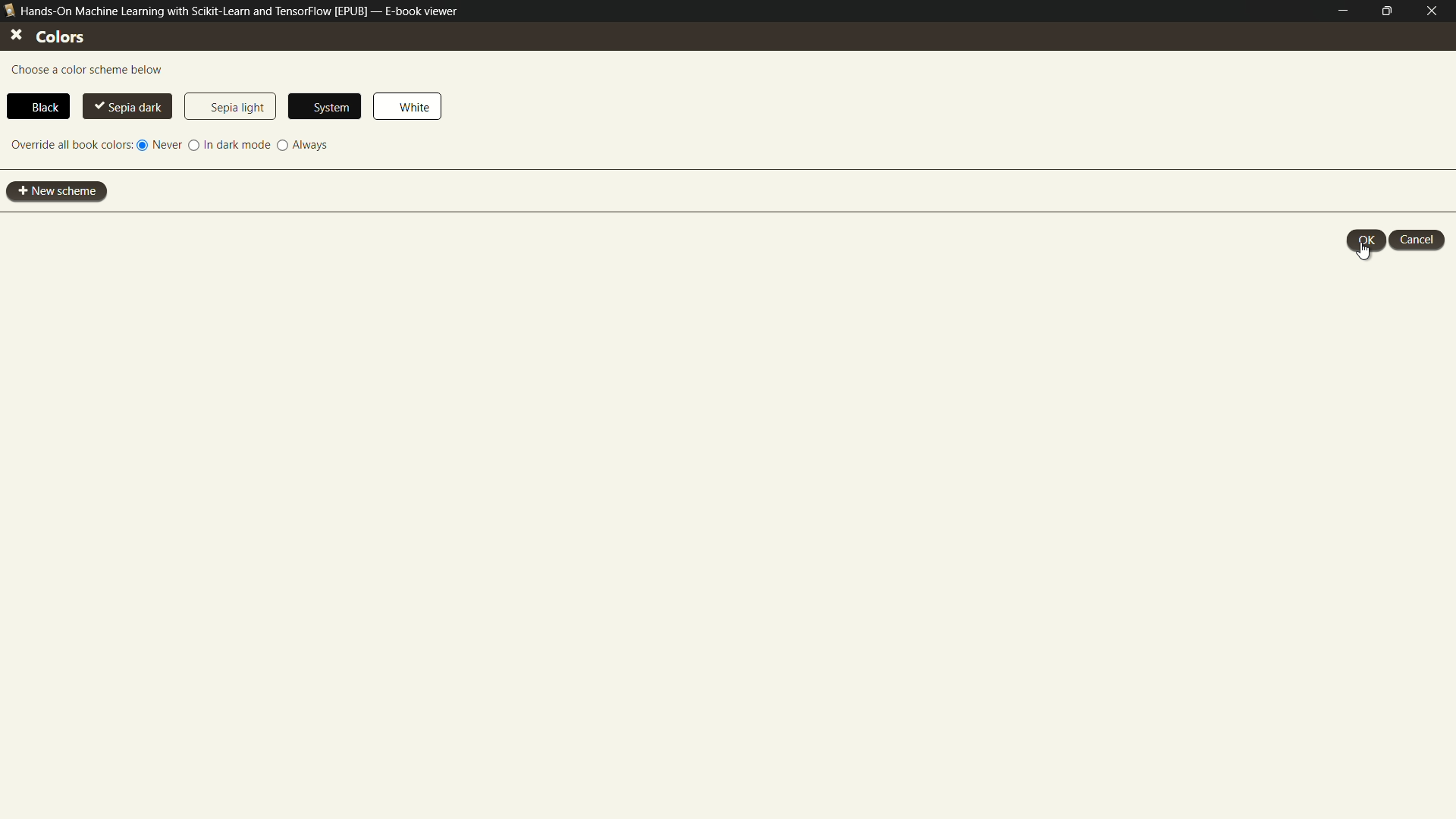 The image size is (1456, 819). What do you see at coordinates (407, 106) in the screenshot?
I see `white` at bounding box center [407, 106].